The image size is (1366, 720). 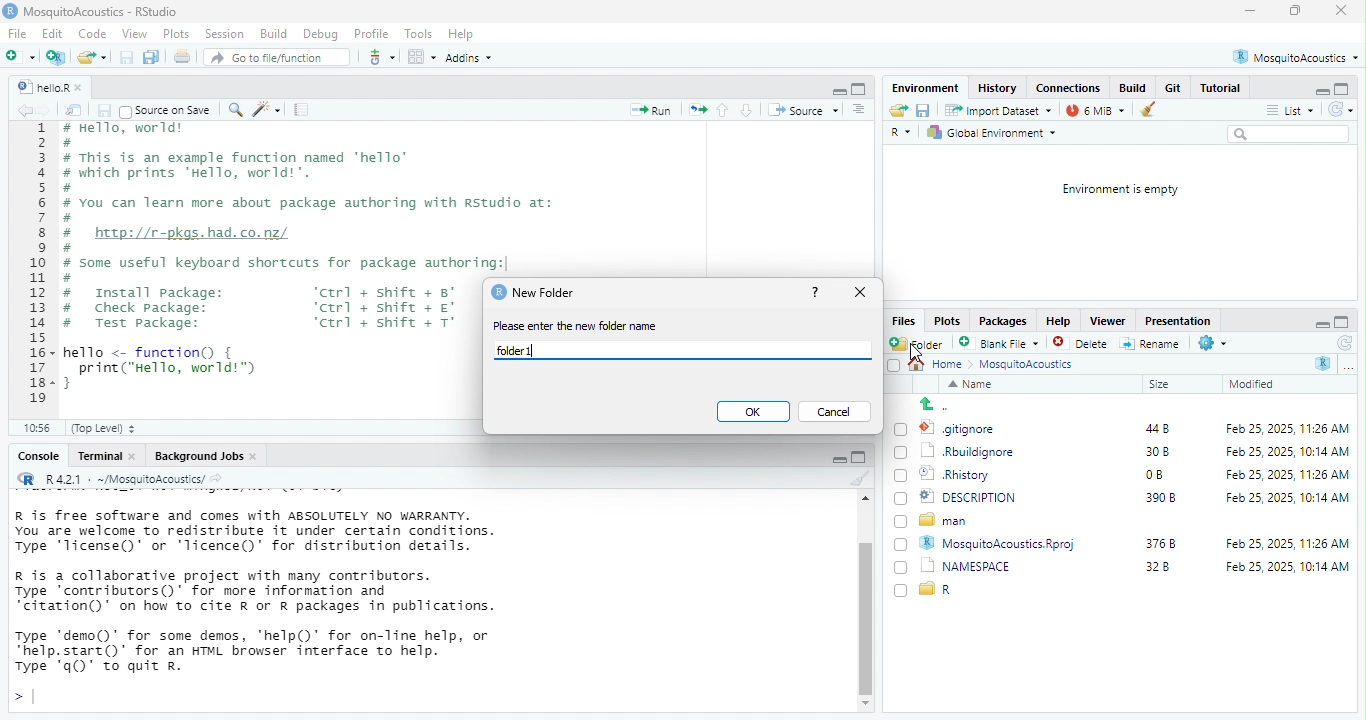 What do you see at coordinates (864, 611) in the screenshot?
I see `vertical scroll bar` at bounding box center [864, 611].